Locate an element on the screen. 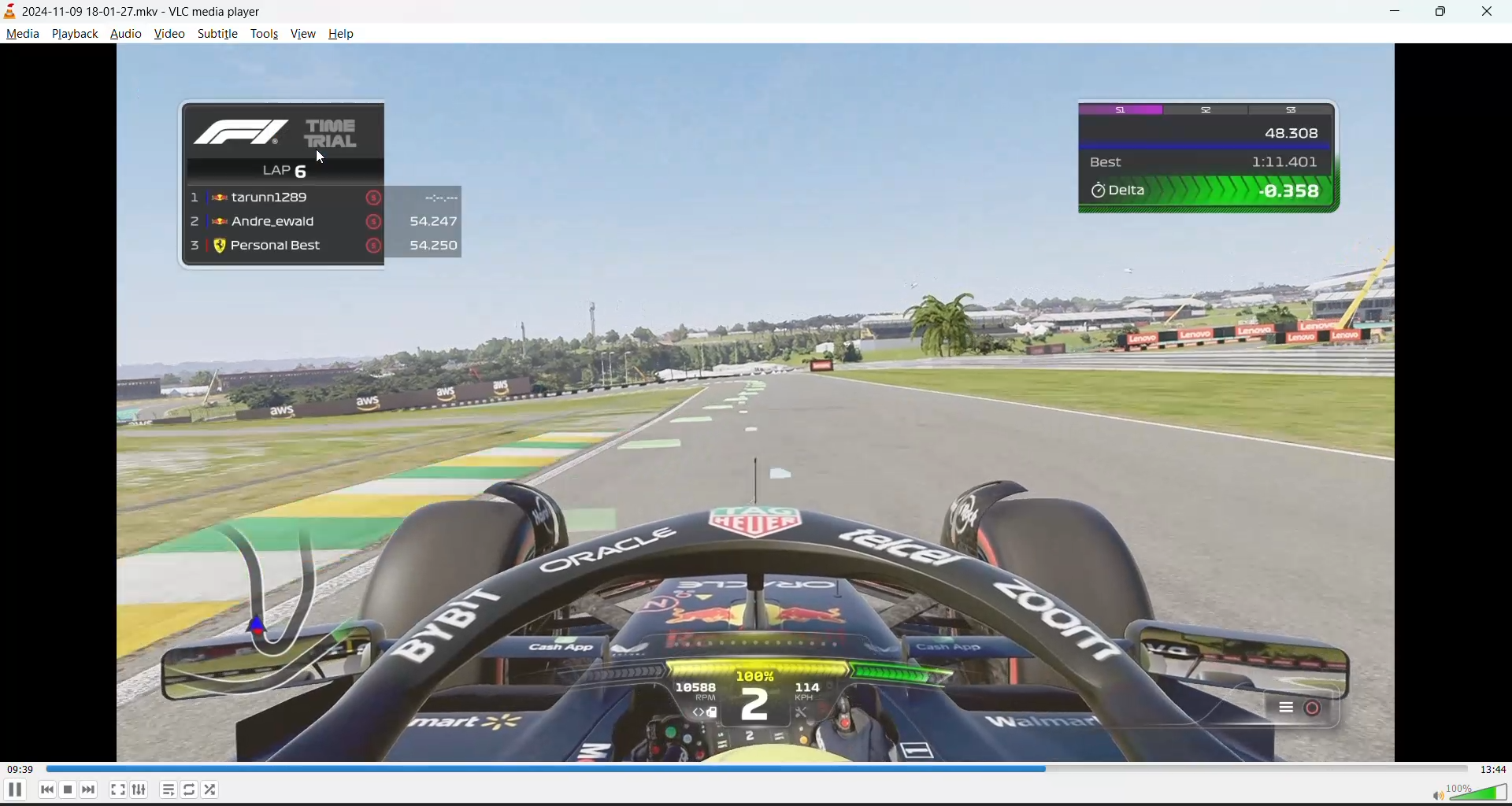 Image resolution: width=1512 pixels, height=806 pixels. current track time is located at coordinates (20, 767).